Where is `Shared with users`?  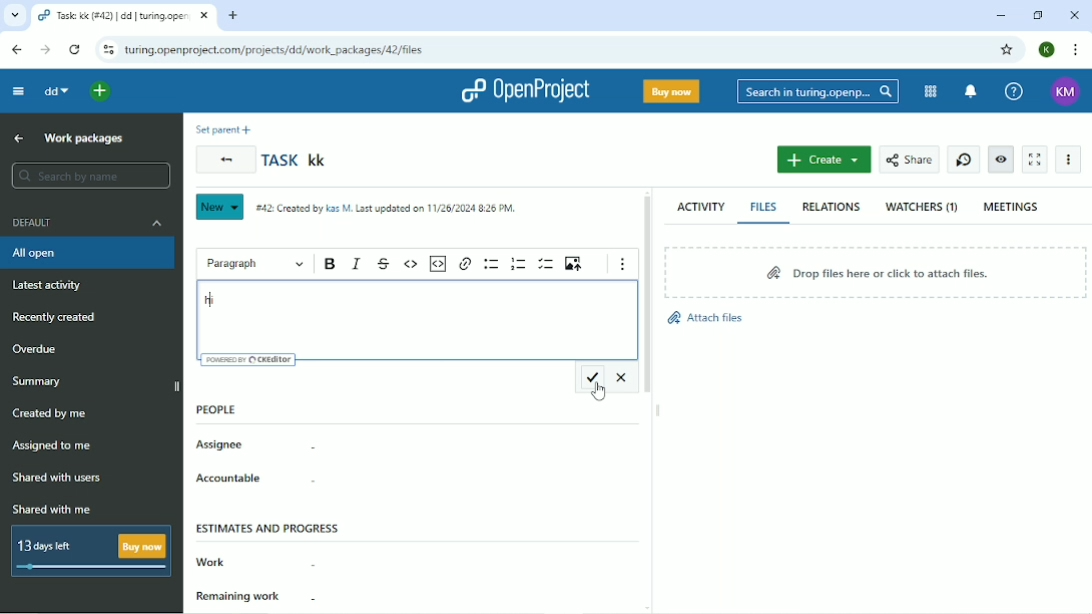
Shared with users is located at coordinates (57, 478).